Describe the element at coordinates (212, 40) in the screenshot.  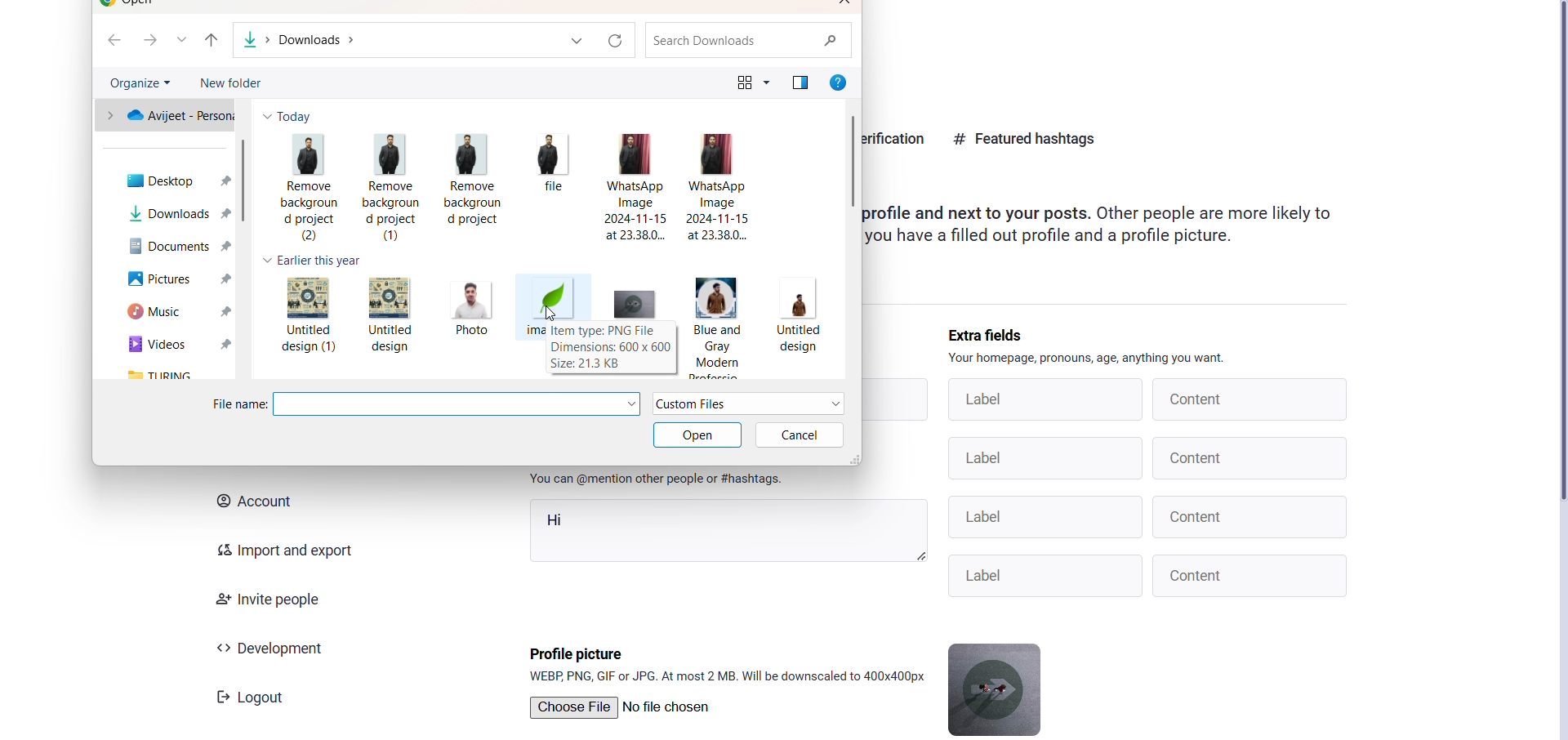
I see `previous` at that location.